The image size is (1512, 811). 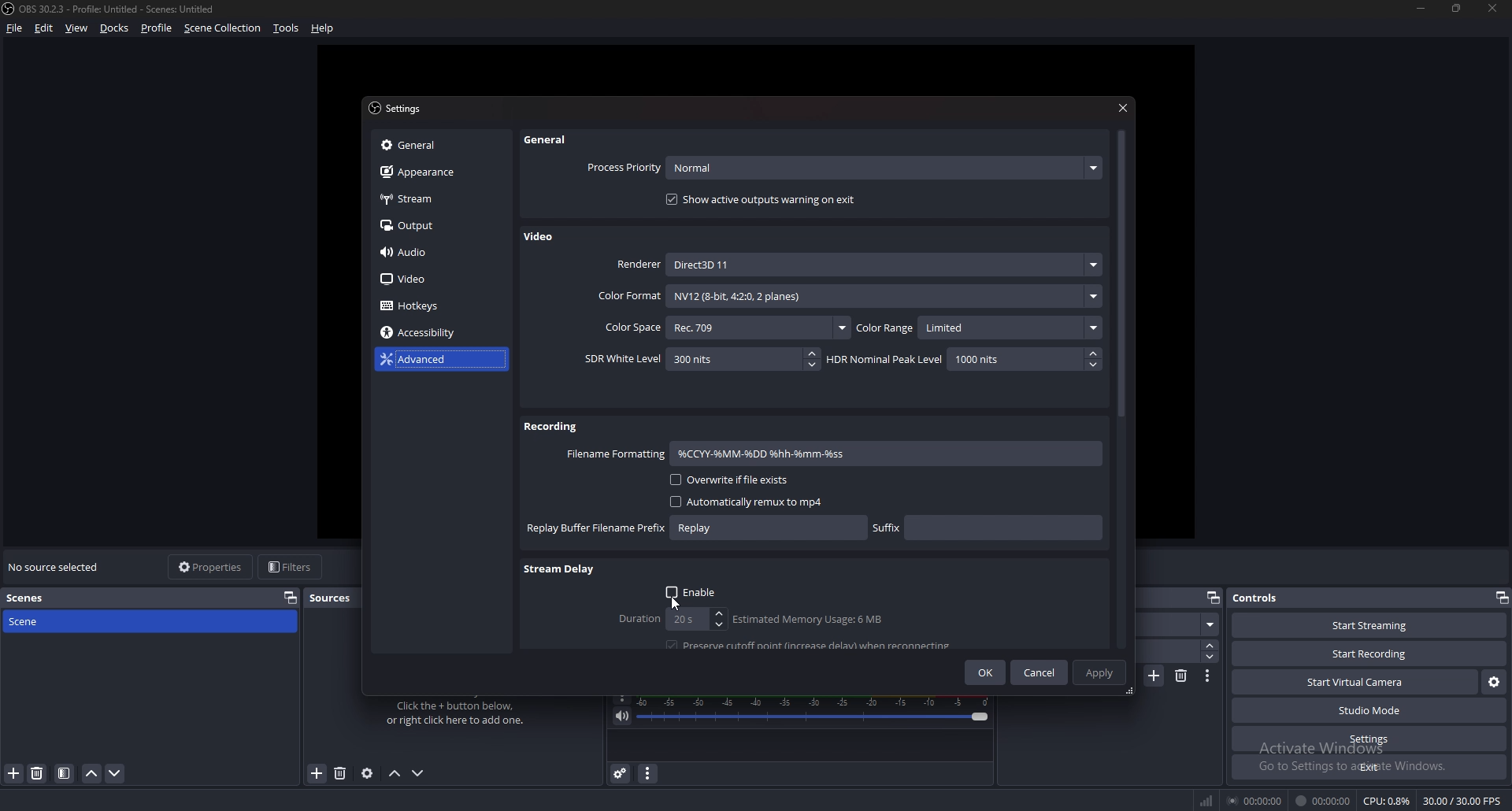 What do you see at coordinates (430, 280) in the screenshot?
I see `video` at bounding box center [430, 280].